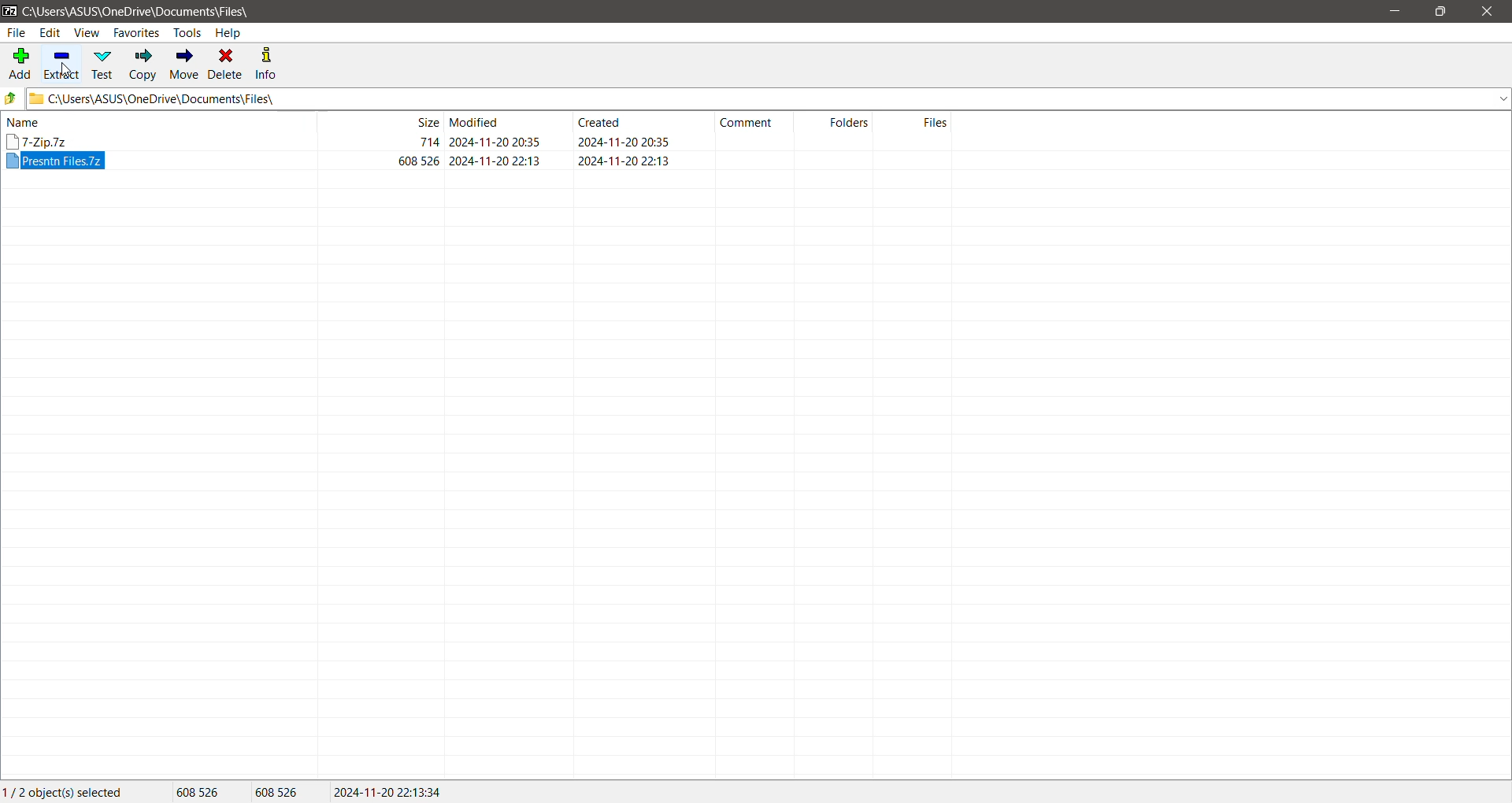 The width and height of the screenshot is (1512, 803). Describe the element at coordinates (230, 32) in the screenshot. I see `Help` at that location.